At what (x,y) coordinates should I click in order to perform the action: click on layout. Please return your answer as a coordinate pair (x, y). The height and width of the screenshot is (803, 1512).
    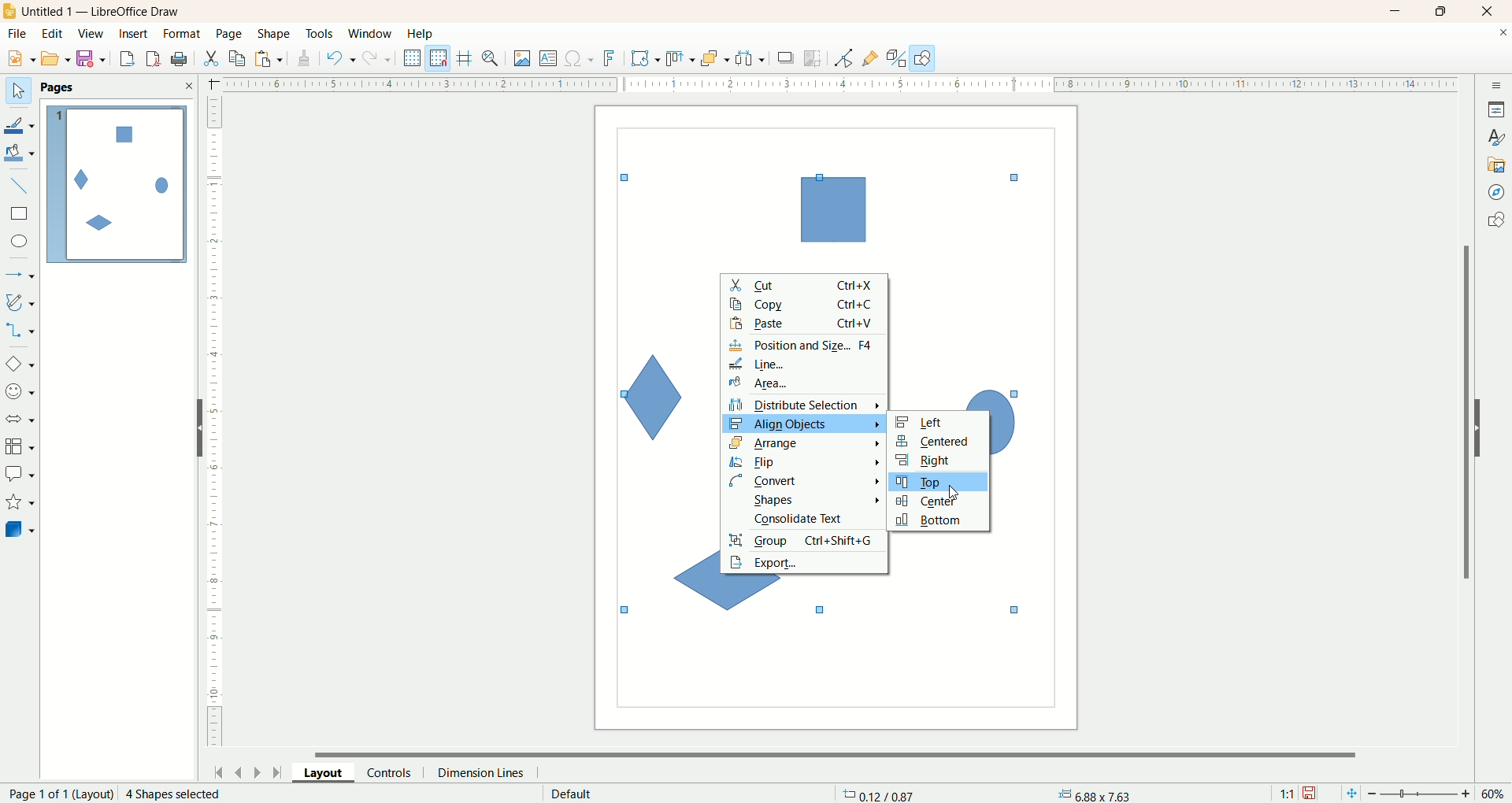
    Looking at the image, I should click on (330, 772).